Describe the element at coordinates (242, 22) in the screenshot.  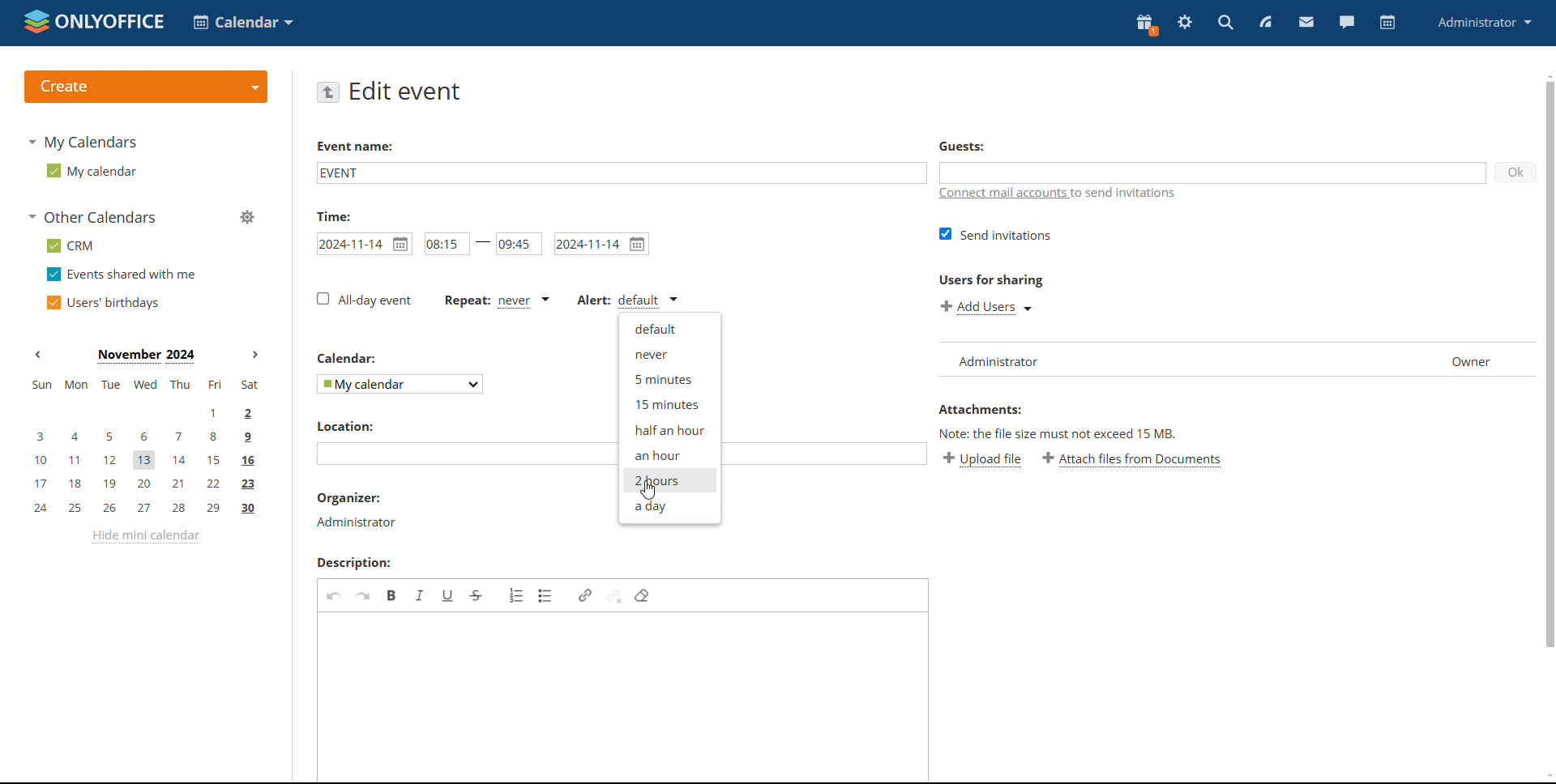
I see `select application` at that location.